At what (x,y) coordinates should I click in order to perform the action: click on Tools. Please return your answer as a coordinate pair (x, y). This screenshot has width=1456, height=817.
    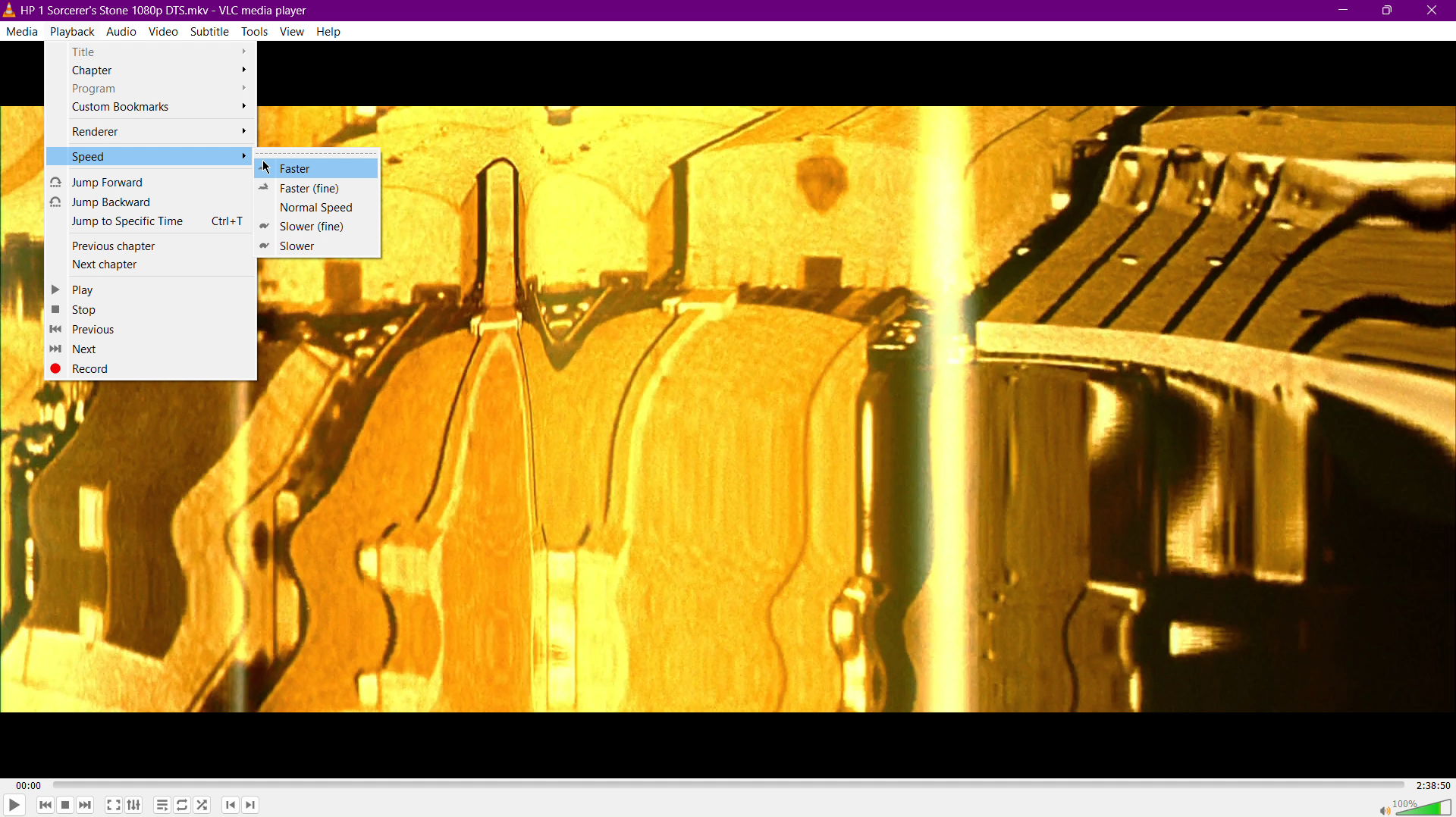
    Looking at the image, I should click on (255, 30).